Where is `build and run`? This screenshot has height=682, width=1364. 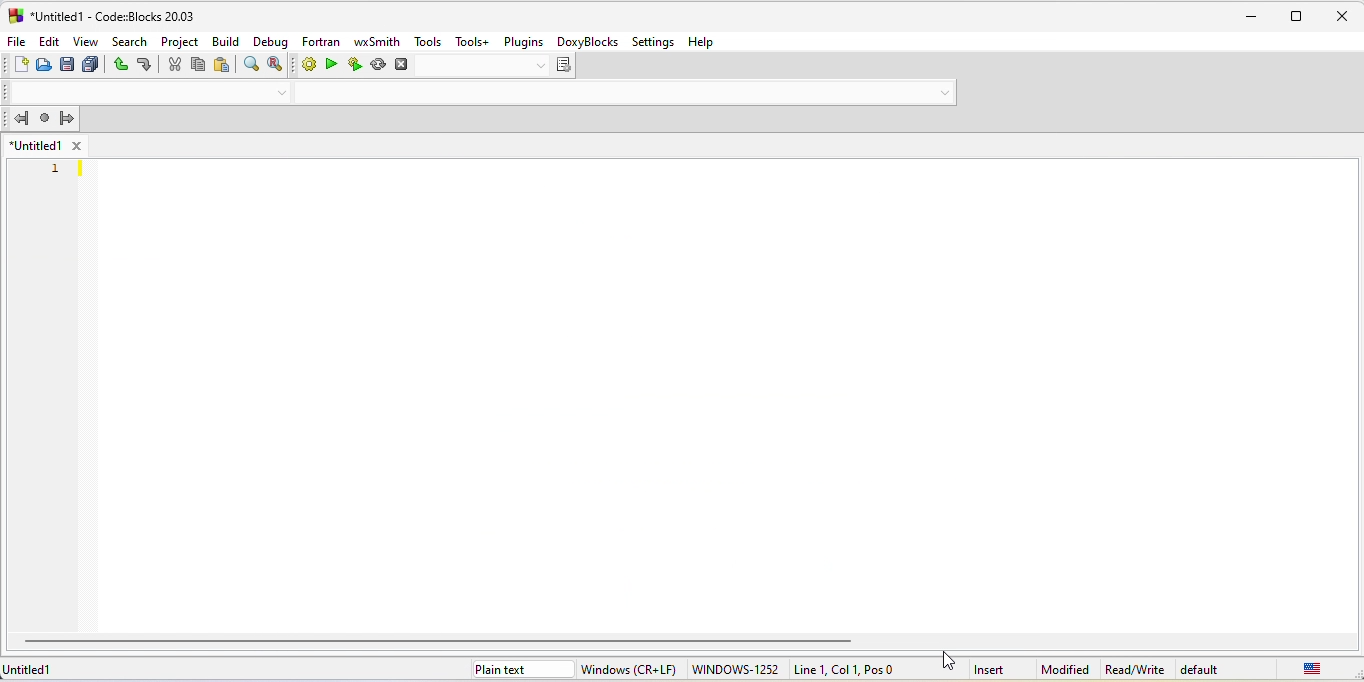 build and run is located at coordinates (355, 64).